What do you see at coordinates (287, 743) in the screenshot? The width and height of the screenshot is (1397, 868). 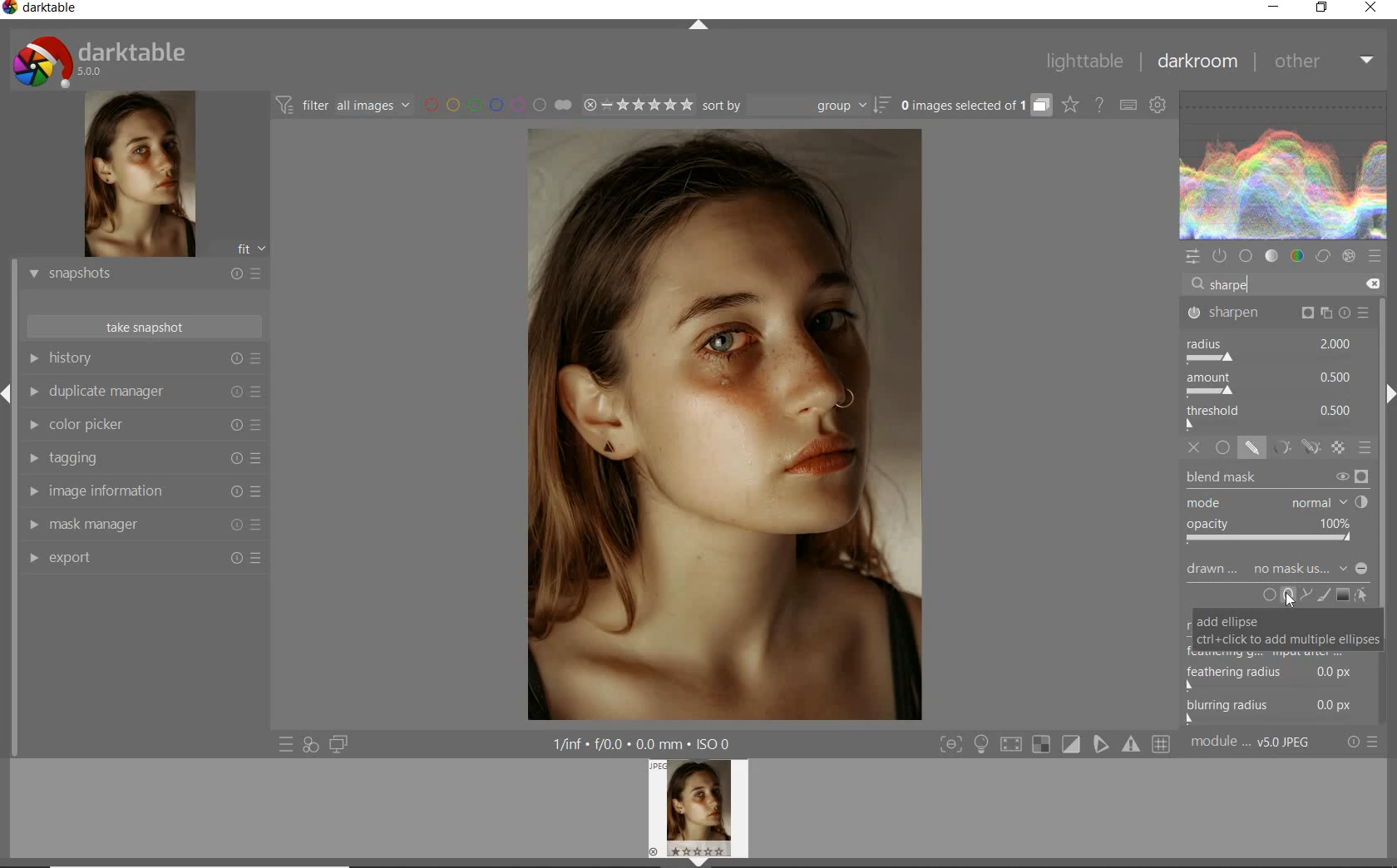 I see `quick access to presets` at bounding box center [287, 743].